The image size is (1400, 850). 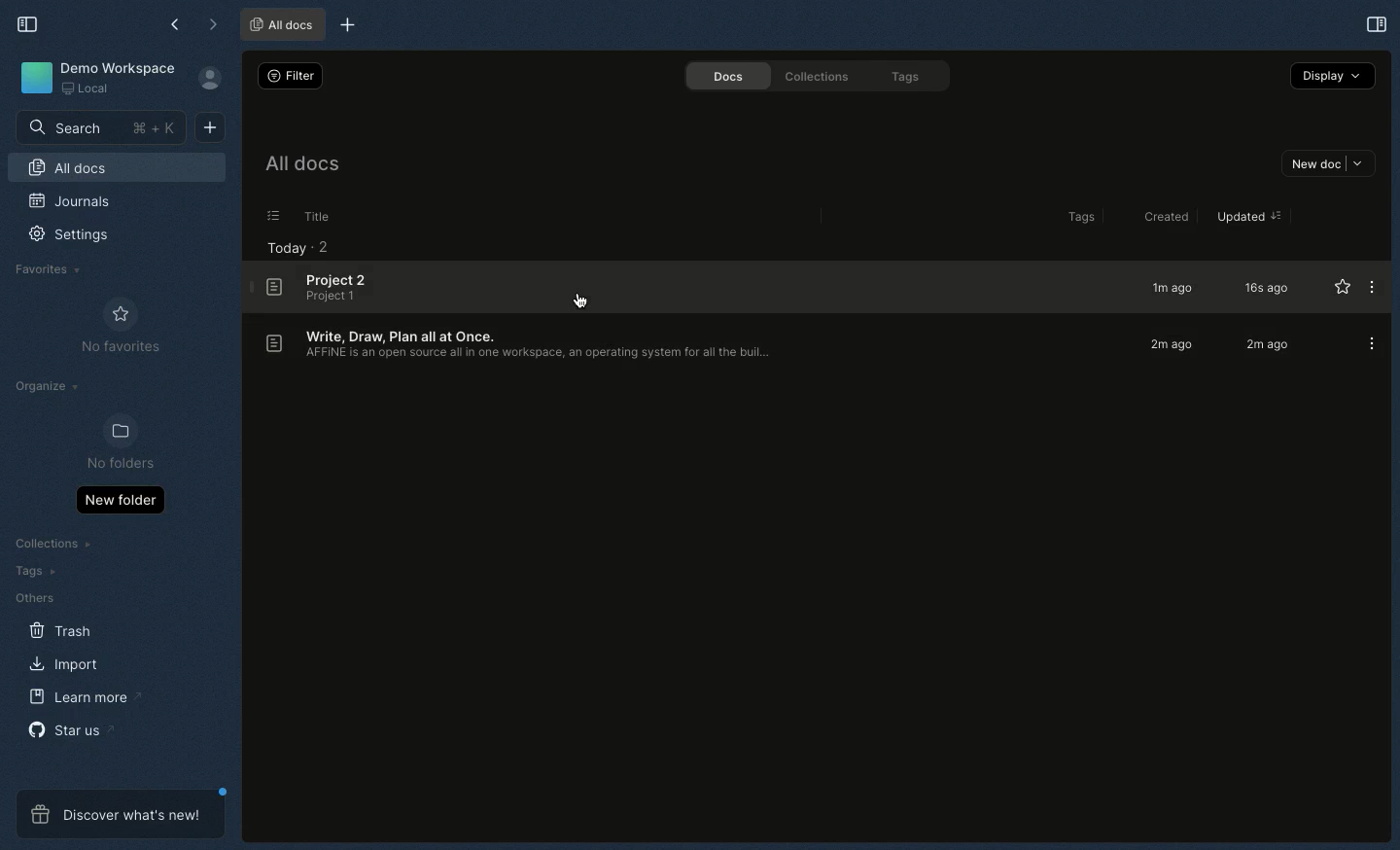 What do you see at coordinates (316, 216) in the screenshot?
I see `Title` at bounding box center [316, 216].